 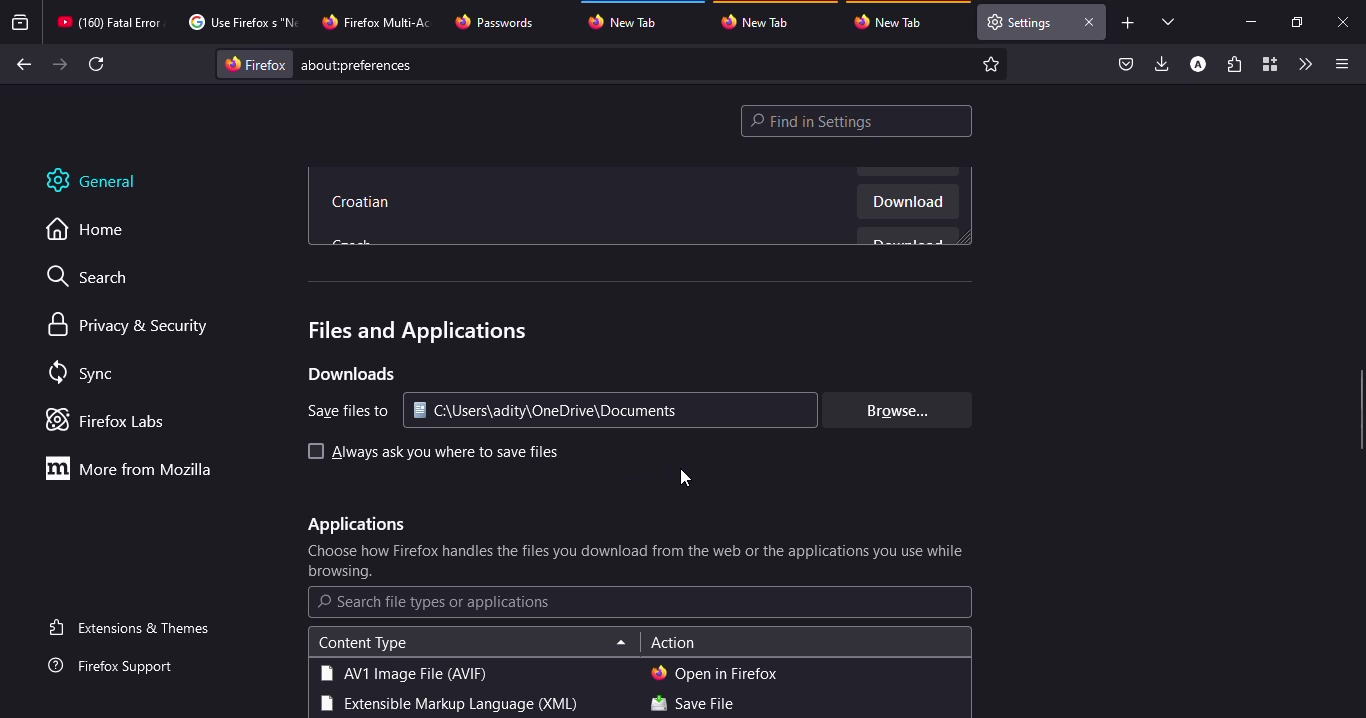 What do you see at coordinates (761, 21) in the screenshot?
I see `tab` at bounding box center [761, 21].